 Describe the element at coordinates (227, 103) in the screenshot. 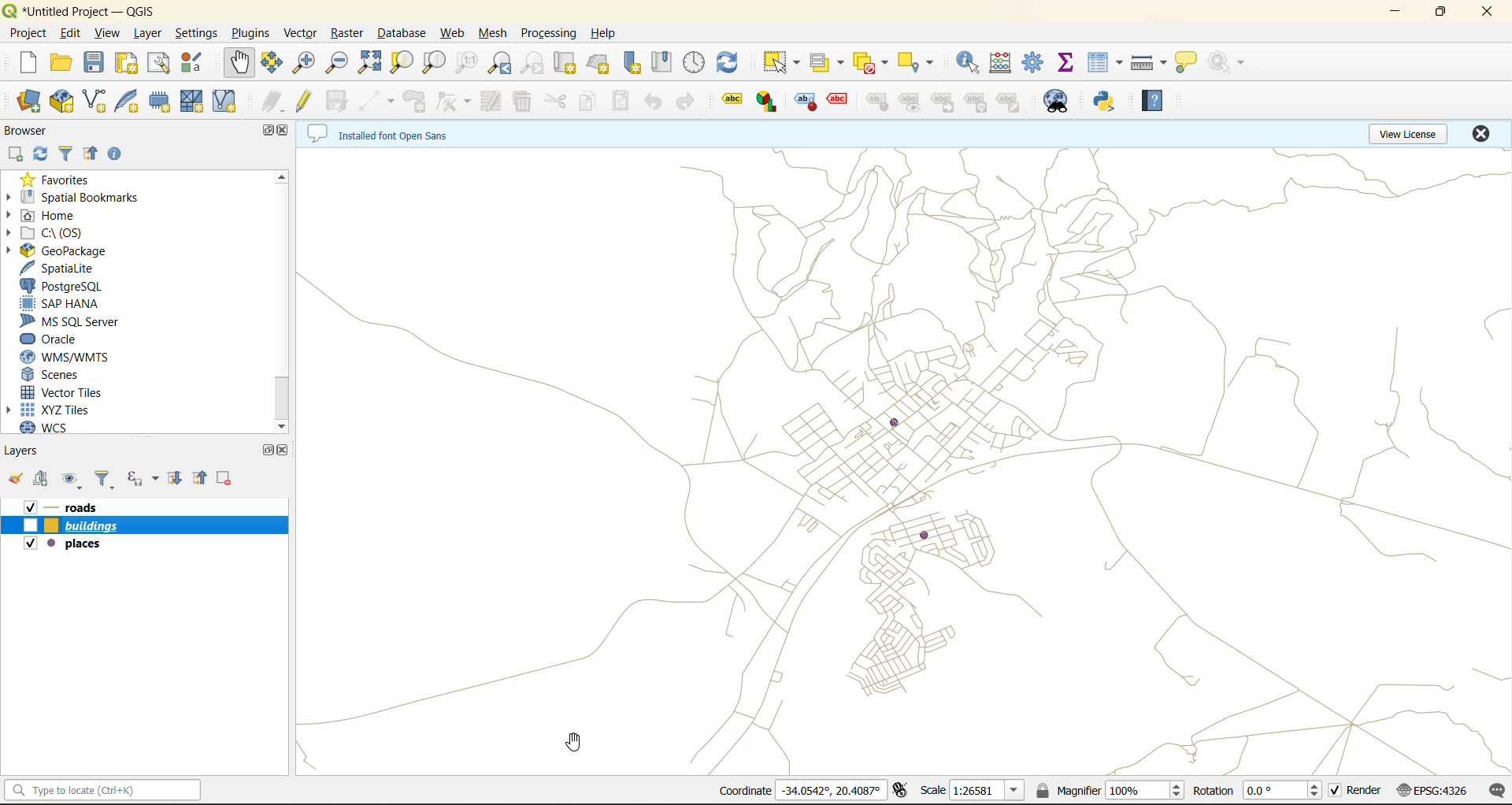

I see `new virtual layer` at that location.